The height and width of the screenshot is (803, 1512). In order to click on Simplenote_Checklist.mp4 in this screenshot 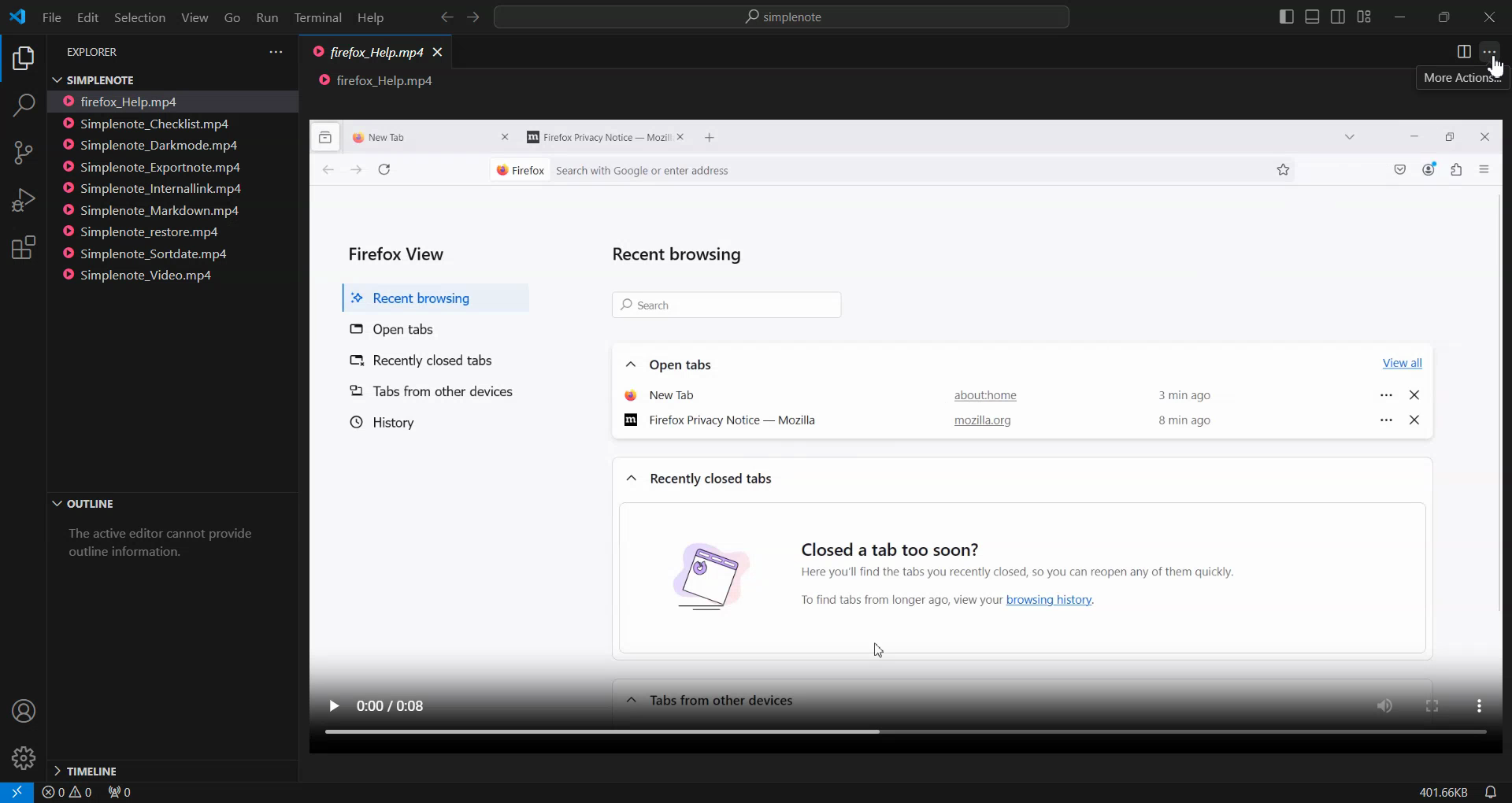, I will do `click(152, 123)`.